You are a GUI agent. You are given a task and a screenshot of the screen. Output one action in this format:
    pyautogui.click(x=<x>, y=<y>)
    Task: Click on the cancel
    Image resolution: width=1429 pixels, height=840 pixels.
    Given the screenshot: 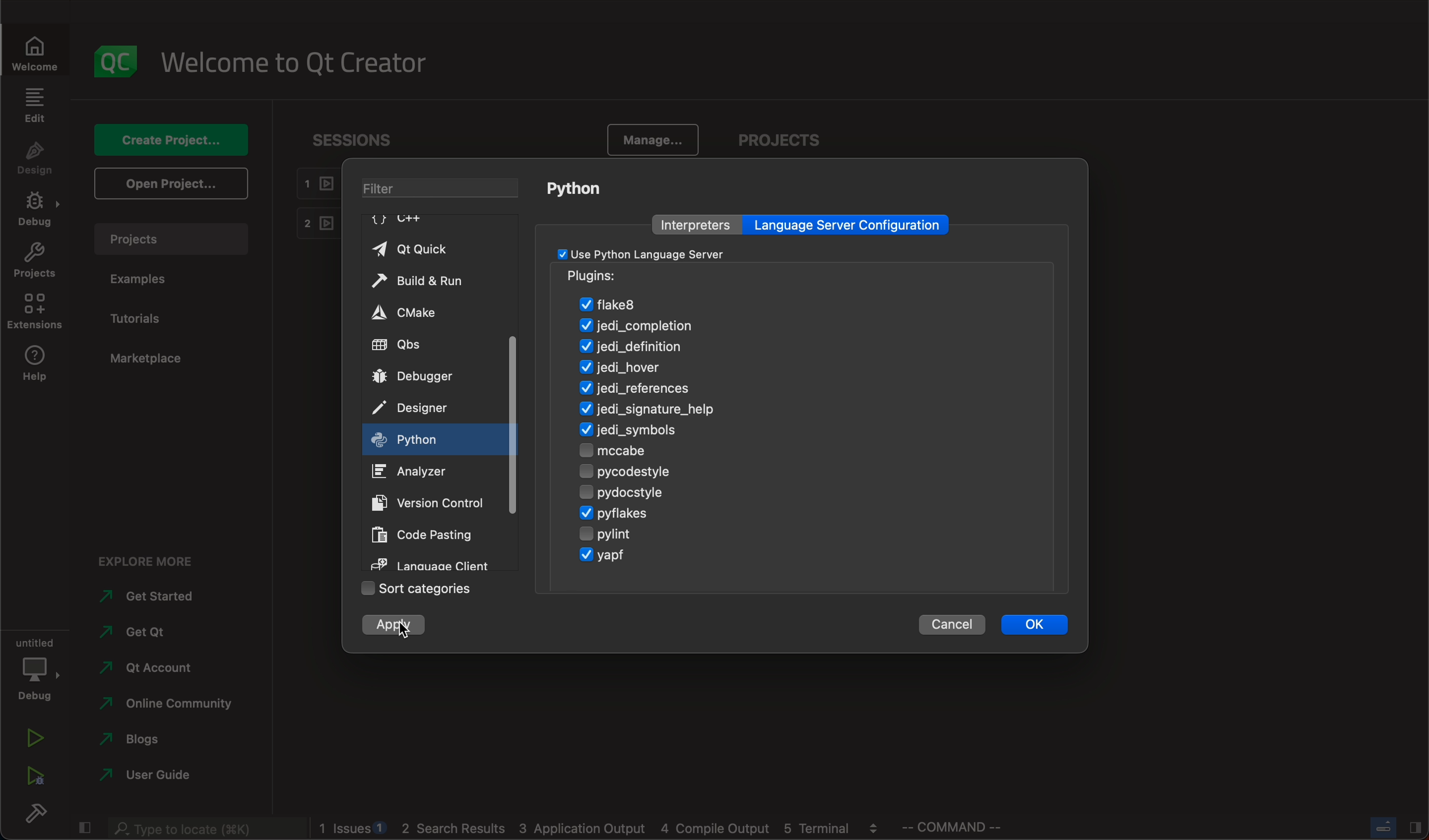 What is the action you would take?
    pyautogui.click(x=949, y=623)
    